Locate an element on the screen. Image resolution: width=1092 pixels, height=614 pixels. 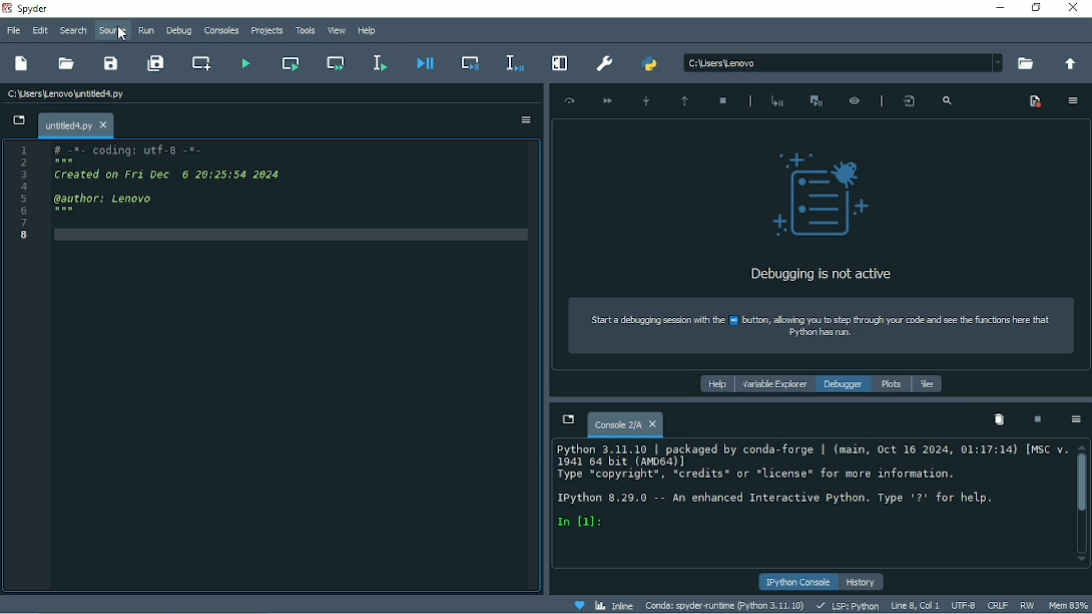
Projects is located at coordinates (266, 31).